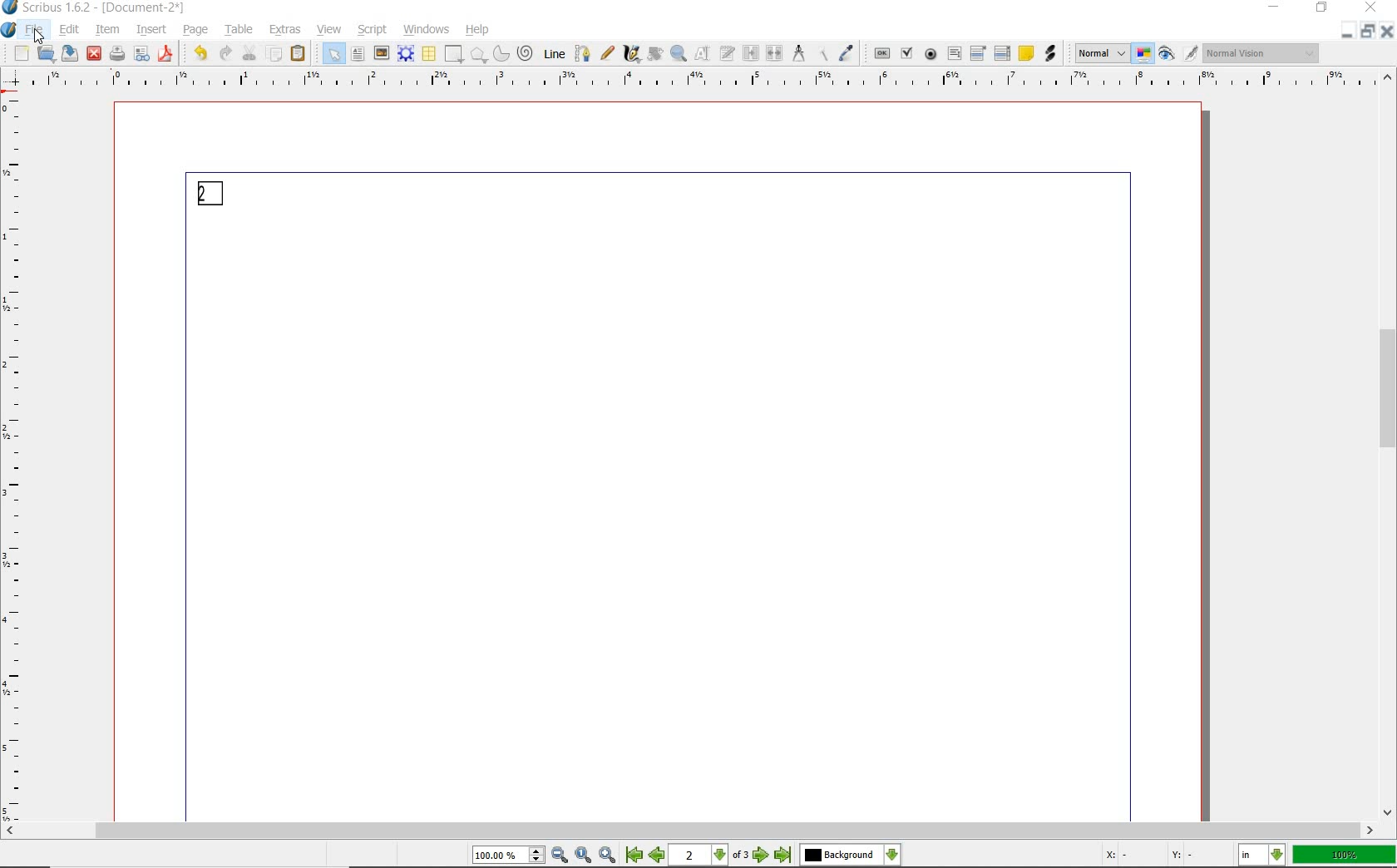  I want to click on spiral, so click(525, 52).